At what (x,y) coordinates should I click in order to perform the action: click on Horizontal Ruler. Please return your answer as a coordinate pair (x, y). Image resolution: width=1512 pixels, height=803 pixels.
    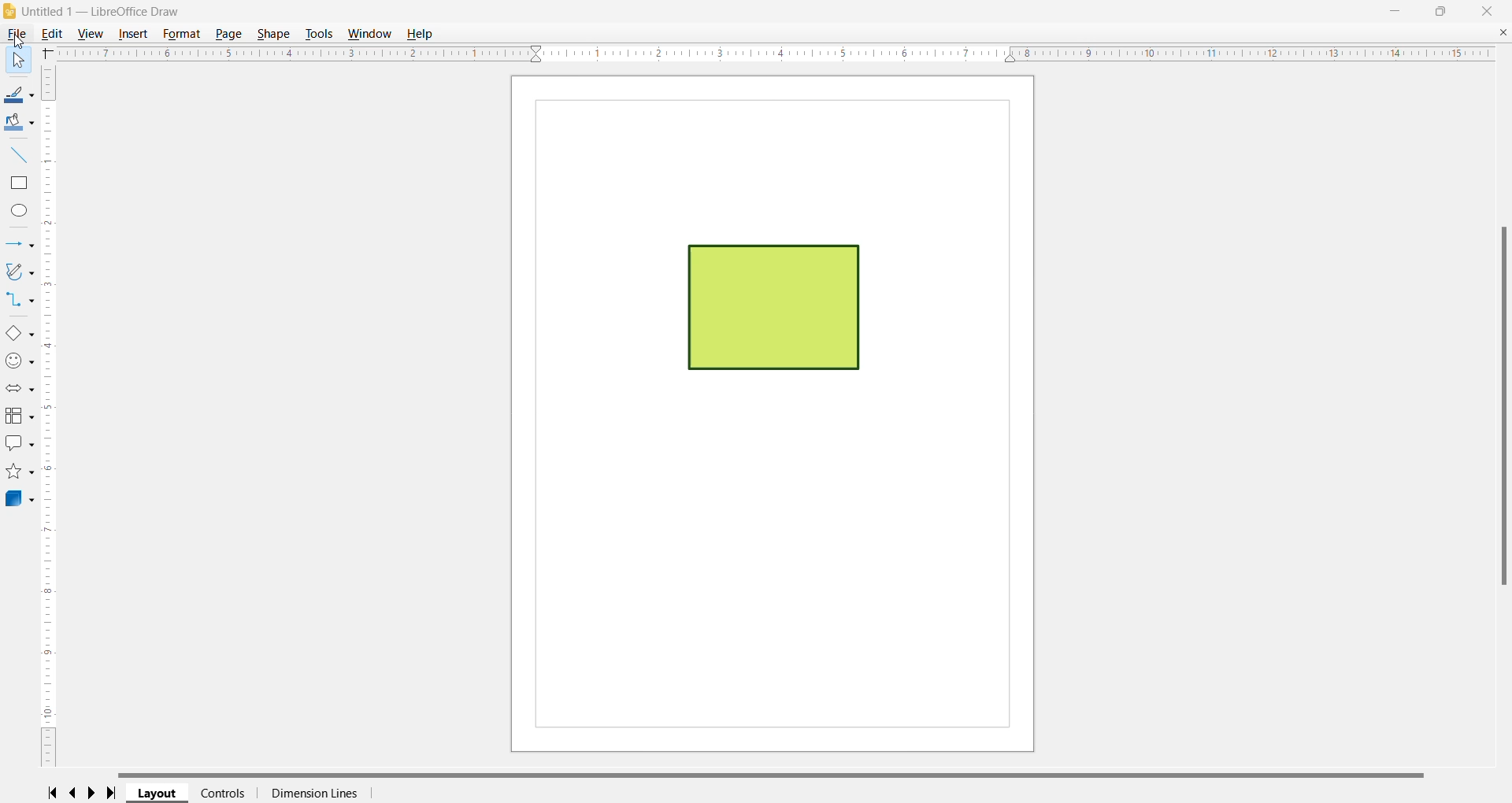
    Looking at the image, I should click on (774, 54).